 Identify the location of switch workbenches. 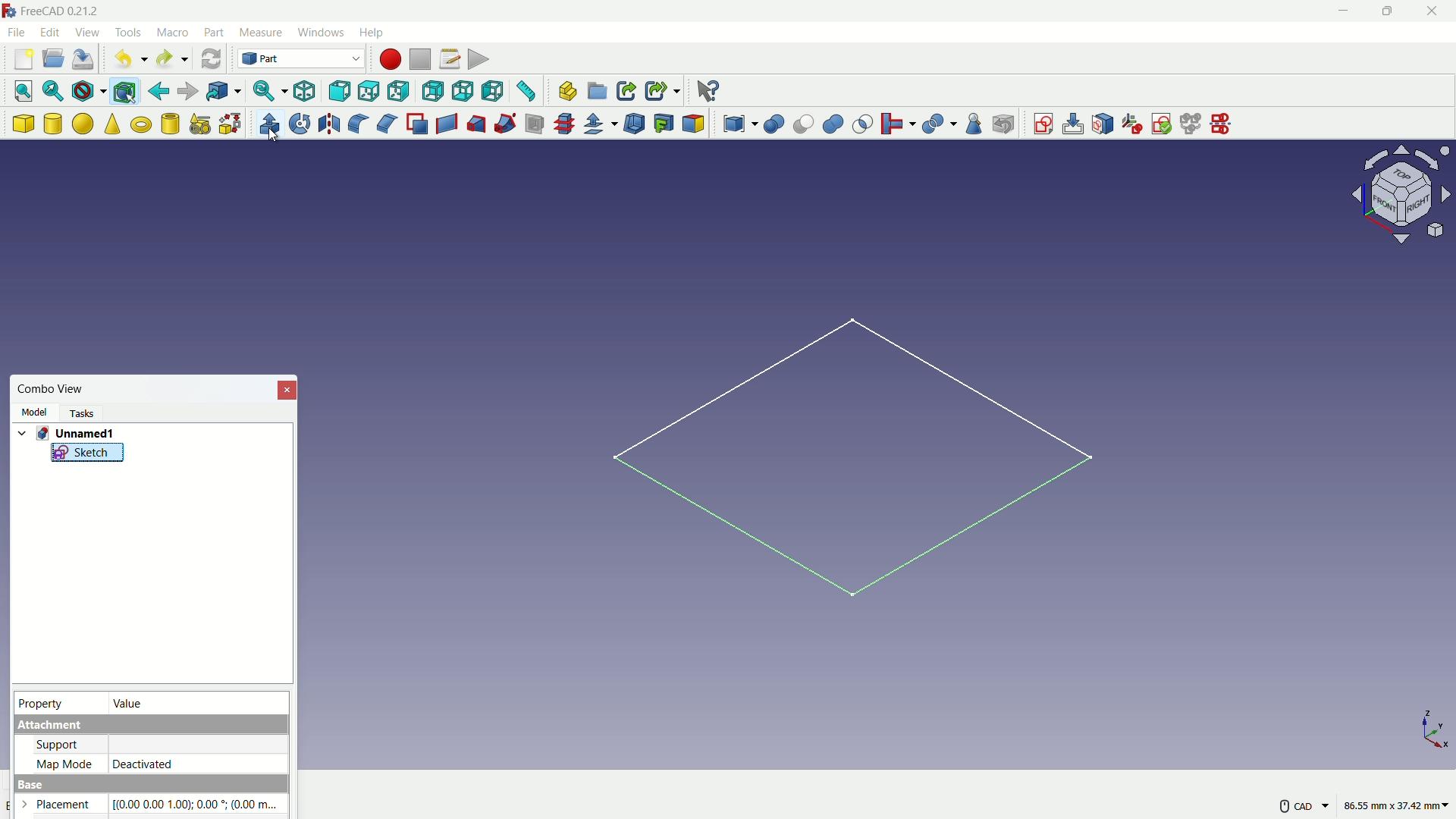
(301, 59).